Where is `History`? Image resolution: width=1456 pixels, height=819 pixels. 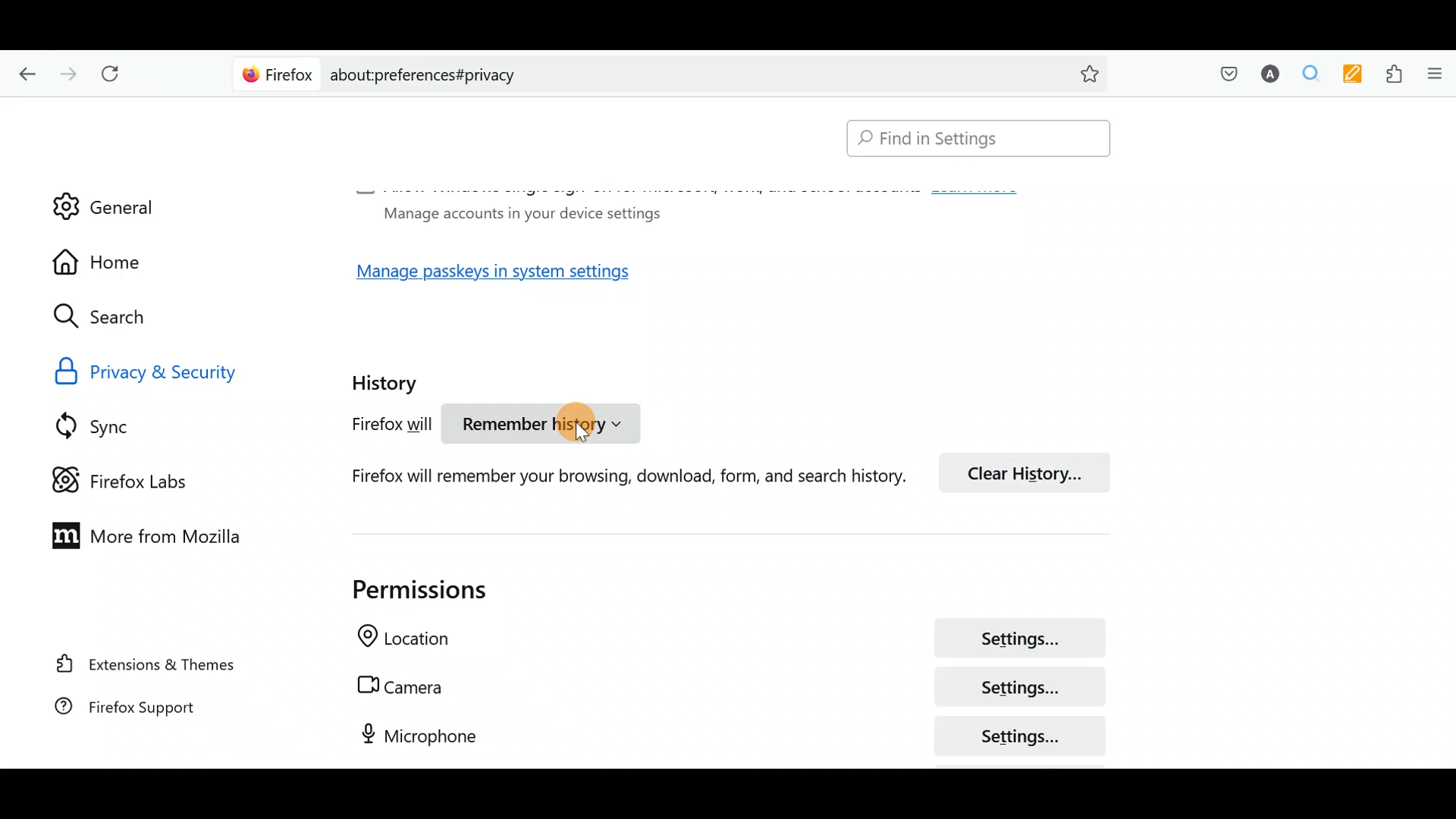 History is located at coordinates (388, 378).